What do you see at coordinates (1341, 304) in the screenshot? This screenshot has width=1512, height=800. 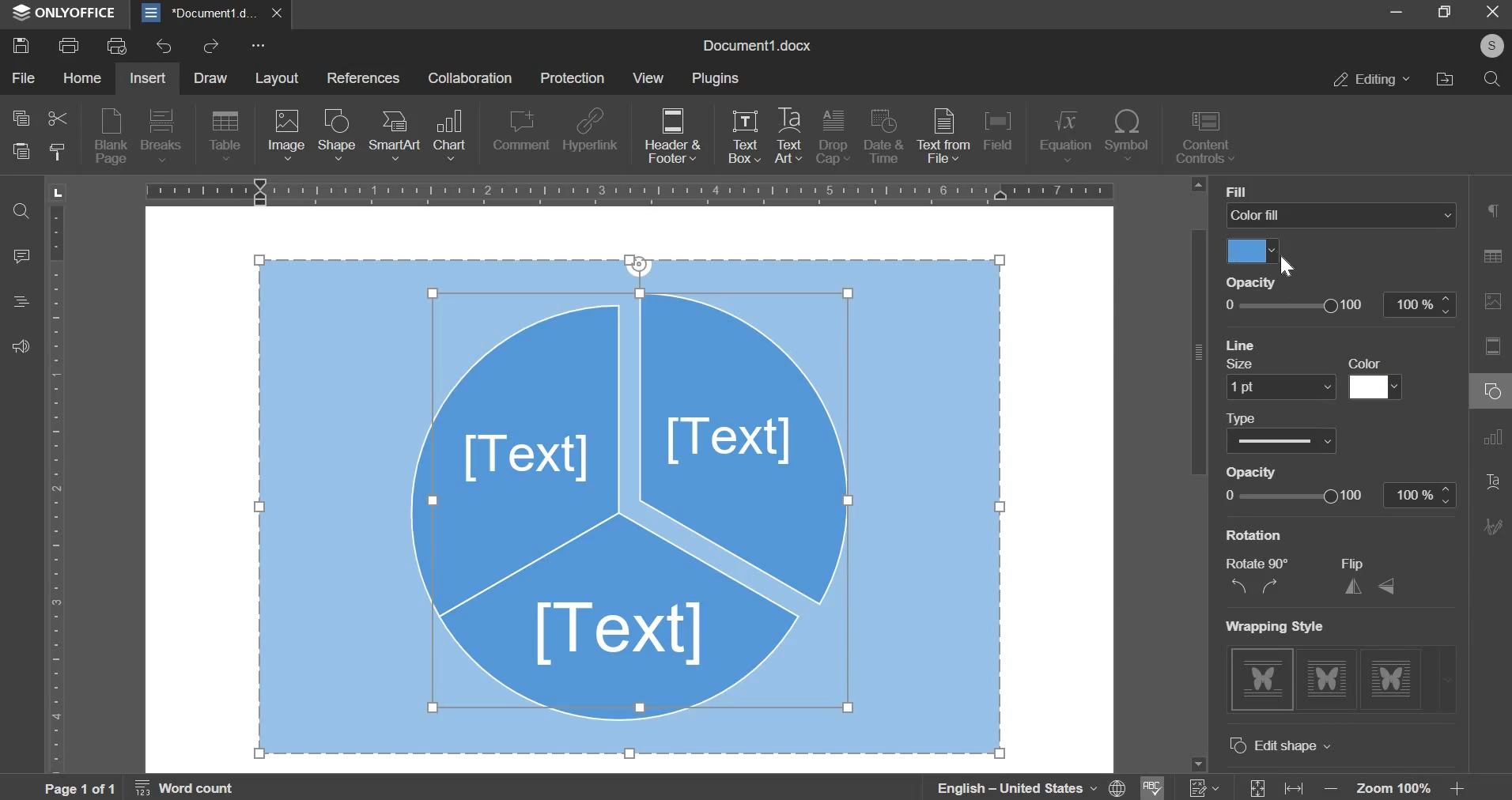 I see `opacity slider` at bounding box center [1341, 304].